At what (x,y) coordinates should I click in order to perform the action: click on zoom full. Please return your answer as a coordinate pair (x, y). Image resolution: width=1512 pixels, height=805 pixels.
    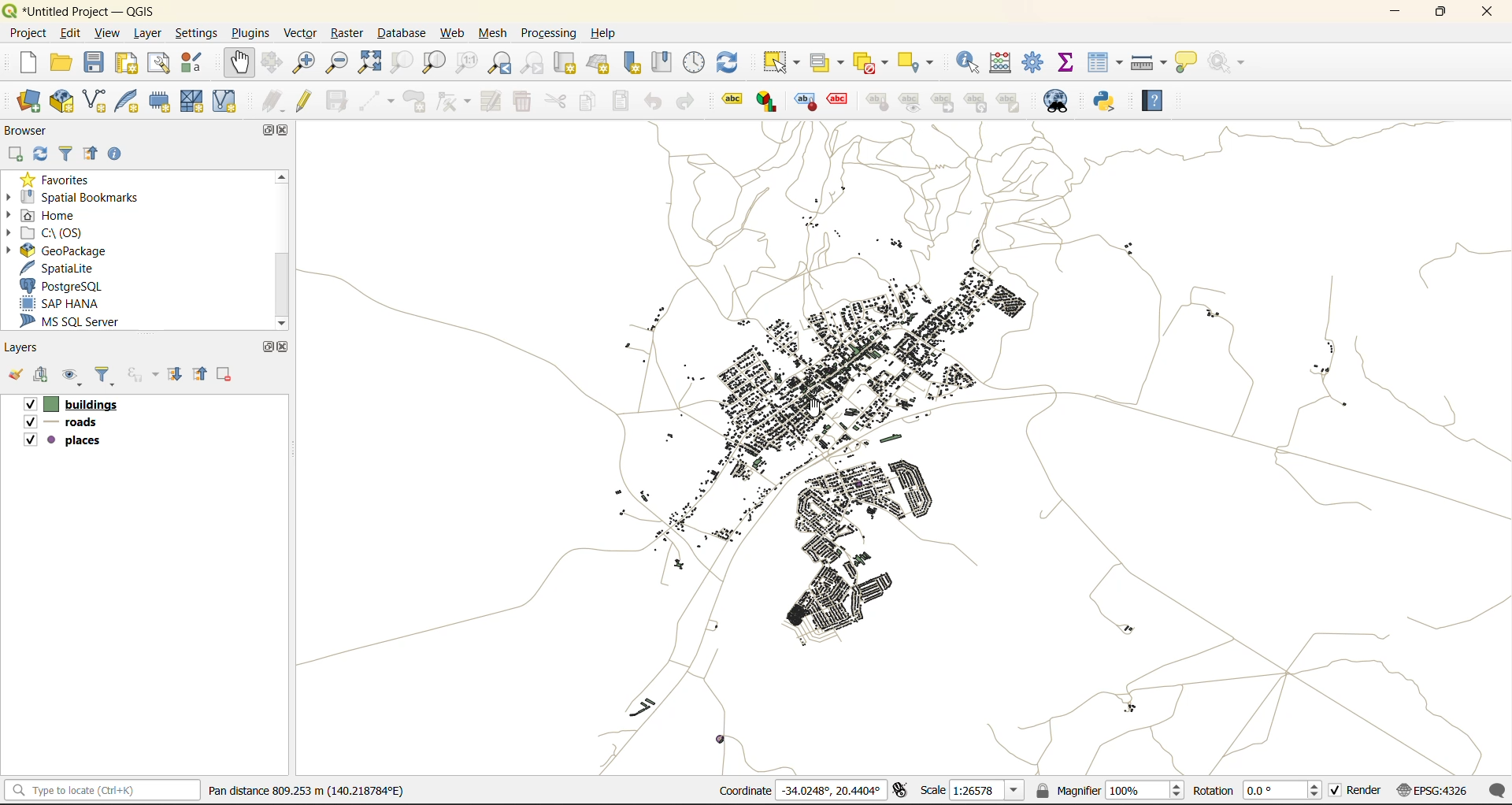
    Looking at the image, I should click on (372, 63).